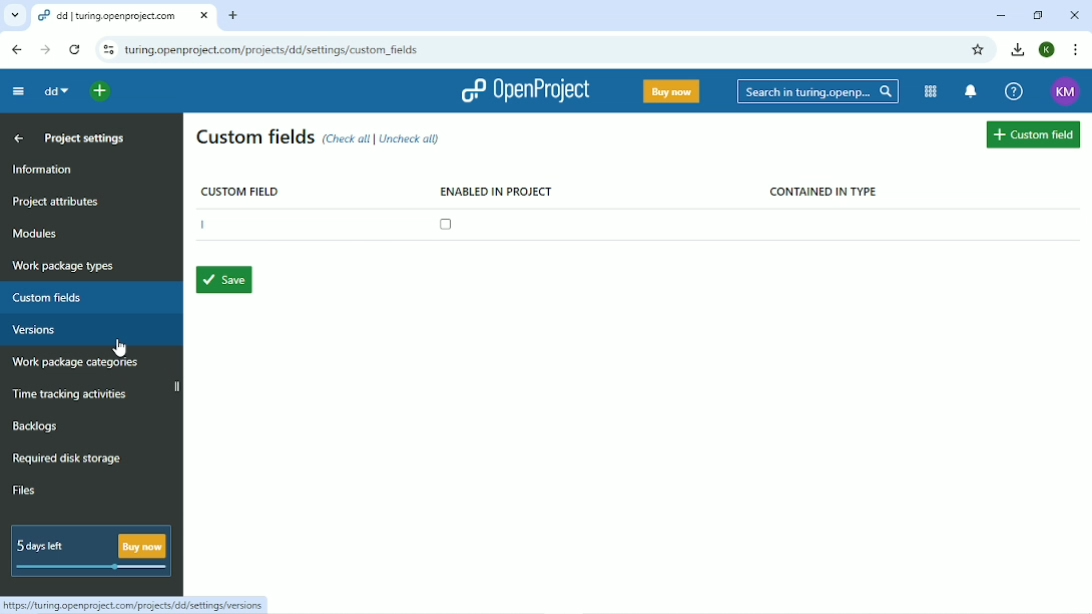  What do you see at coordinates (55, 203) in the screenshot?
I see `Project attributes` at bounding box center [55, 203].